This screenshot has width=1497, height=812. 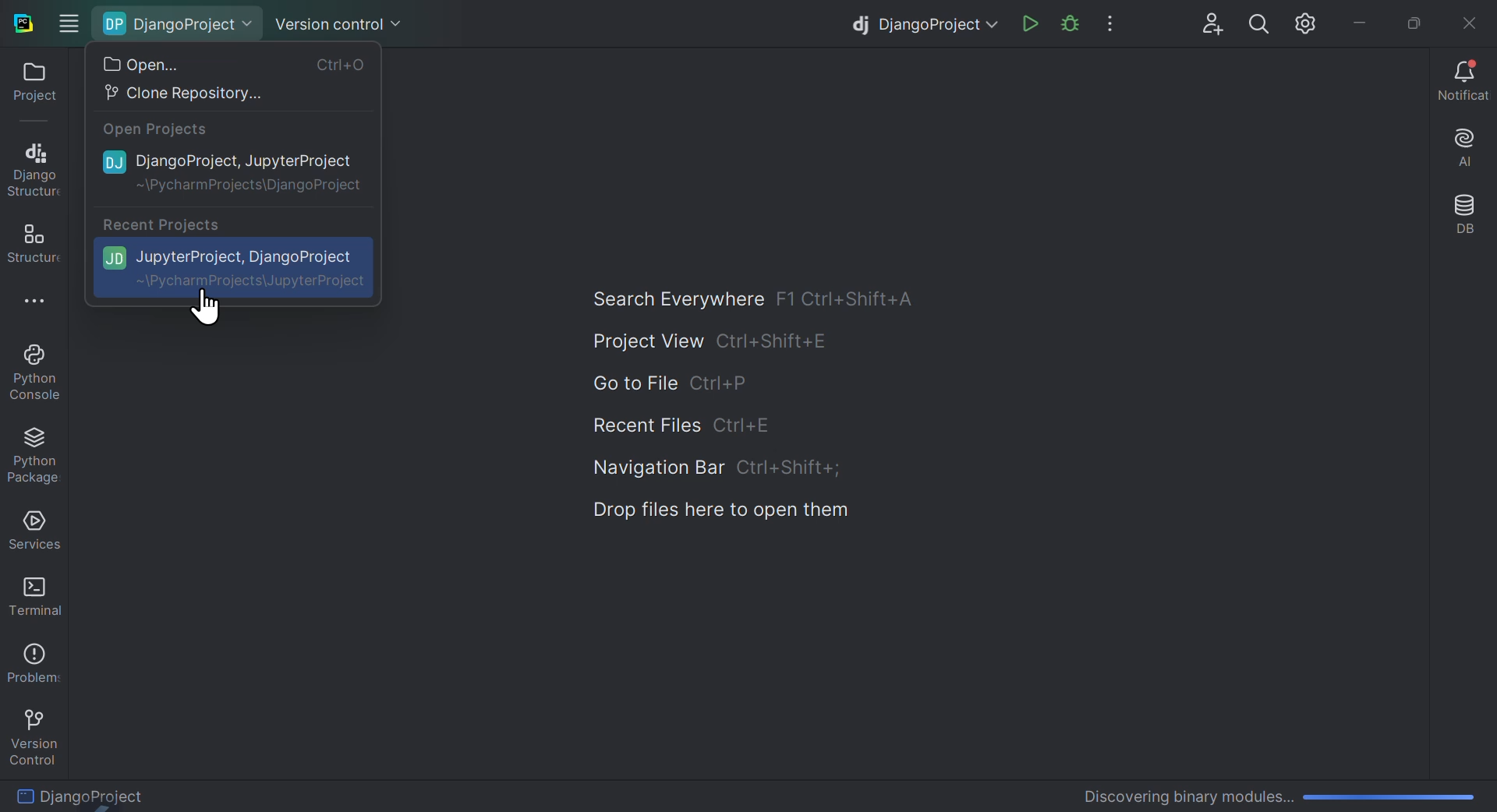 What do you see at coordinates (1260, 24) in the screenshot?
I see `search` at bounding box center [1260, 24].